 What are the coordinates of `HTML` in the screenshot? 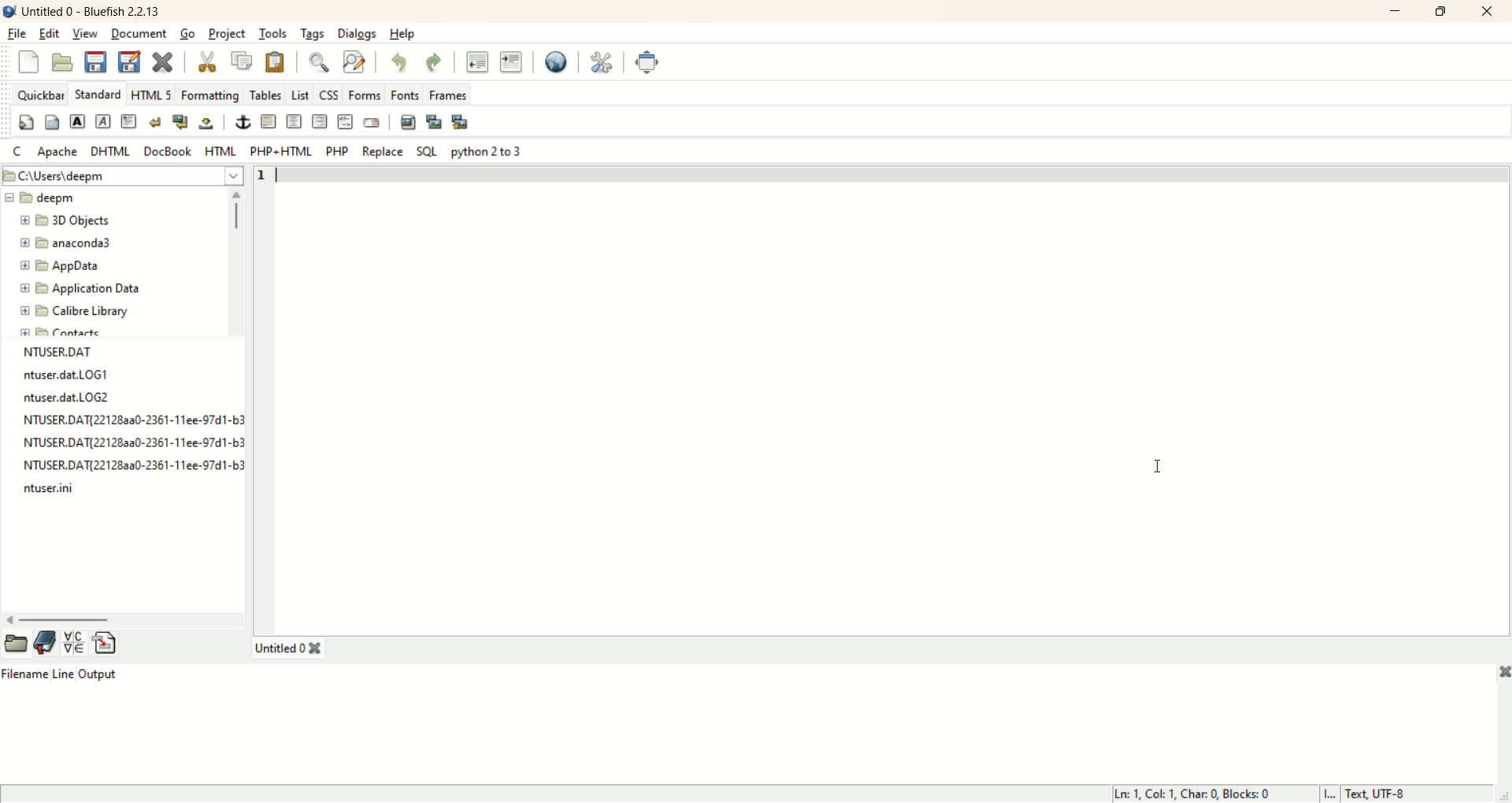 It's located at (218, 150).